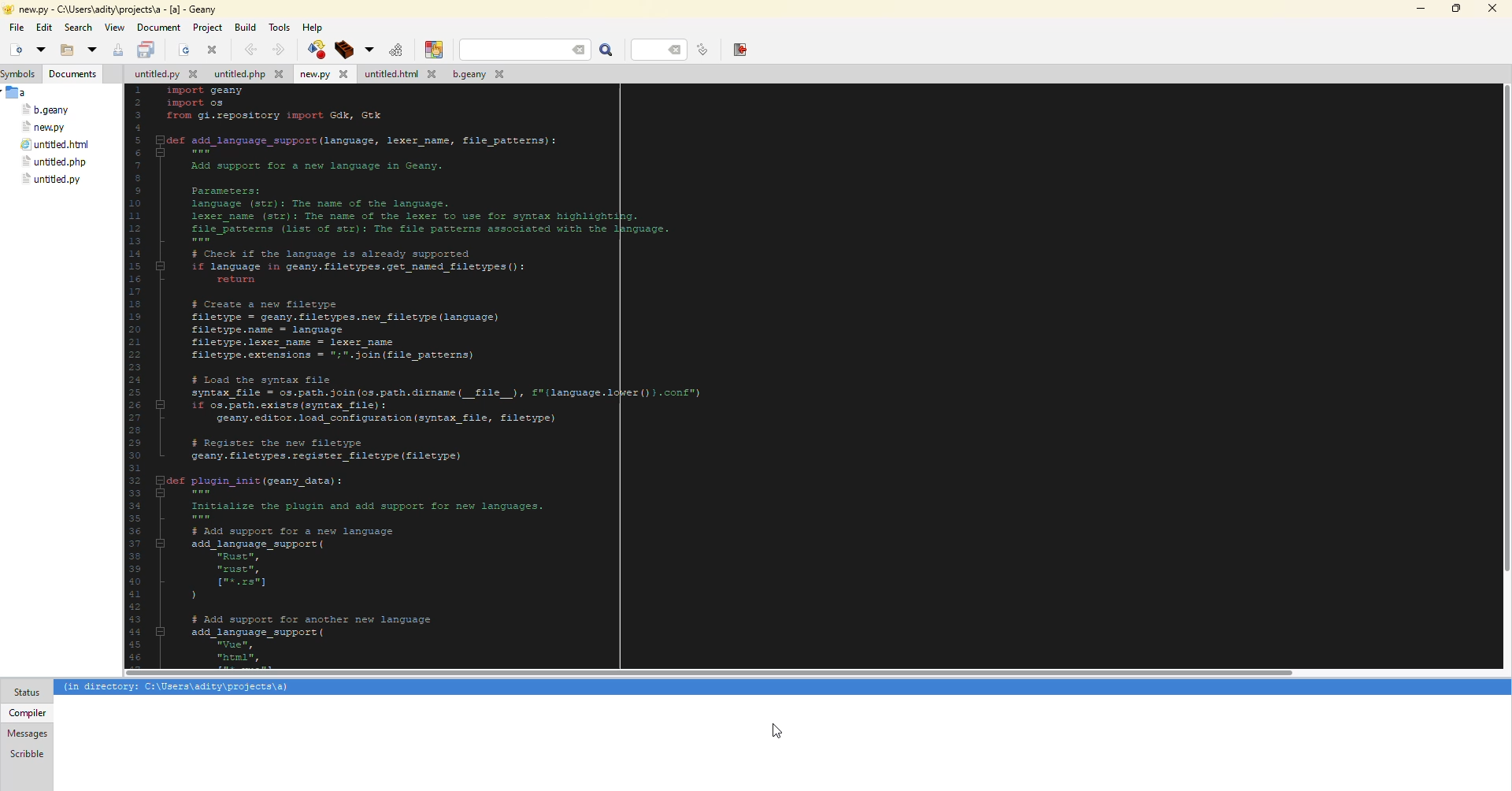  I want to click on status, so click(30, 693).